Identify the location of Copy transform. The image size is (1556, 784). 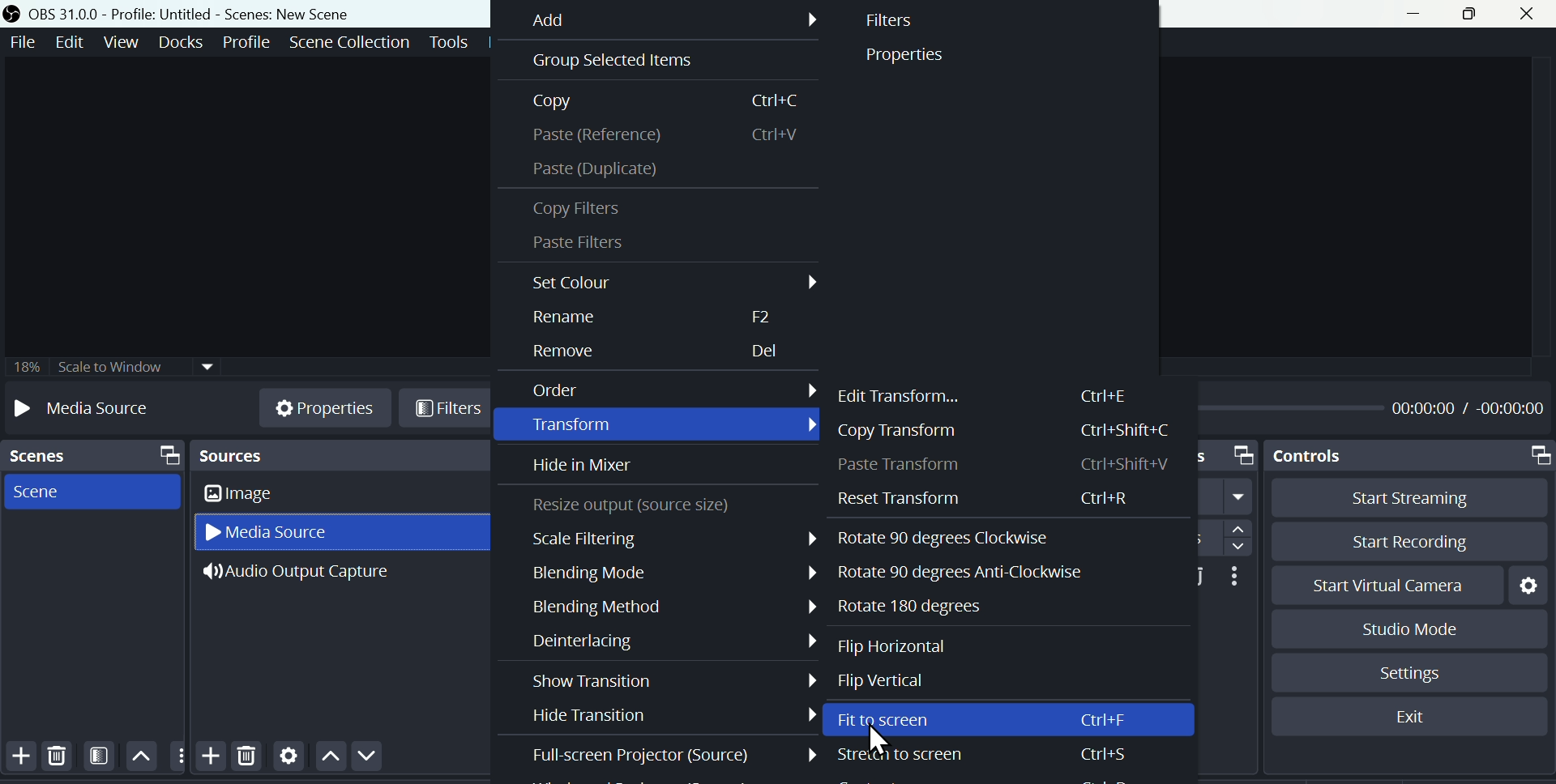
(1014, 428).